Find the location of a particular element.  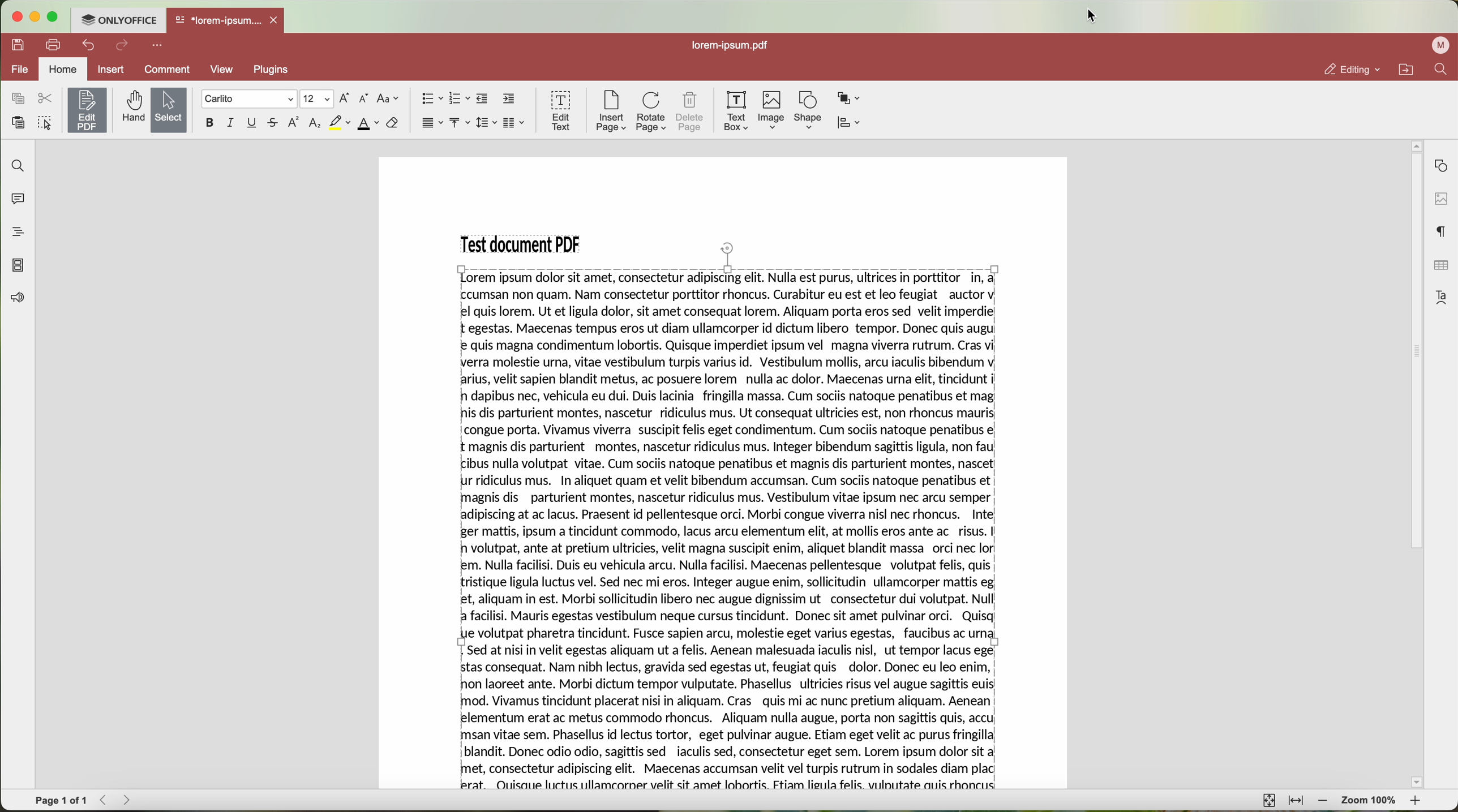

fit to page is located at coordinates (1268, 801).